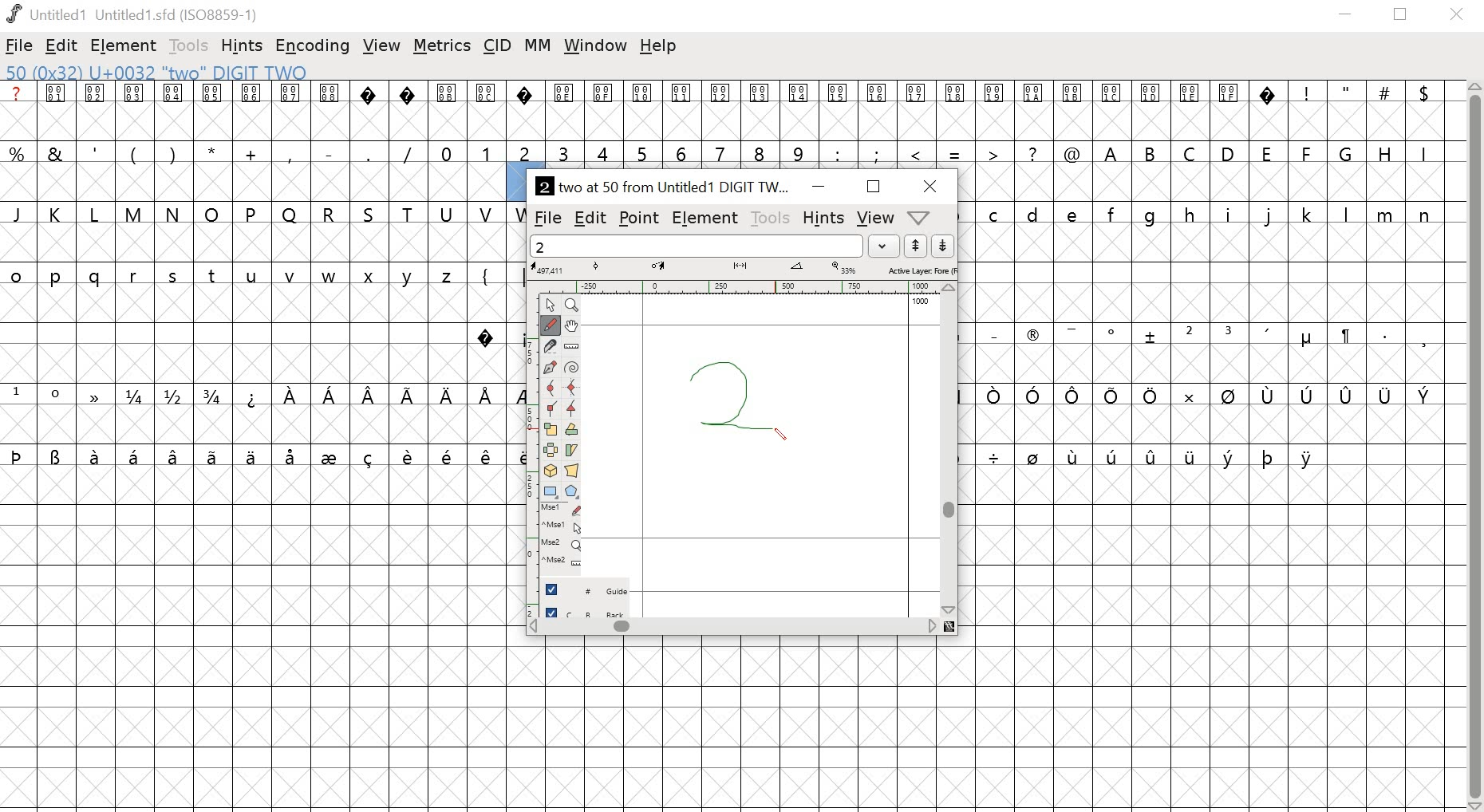 This screenshot has height=812, width=1484. What do you see at coordinates (819, 184) in the screenshot?
I see `minimize` at bounding box center [819, 184].